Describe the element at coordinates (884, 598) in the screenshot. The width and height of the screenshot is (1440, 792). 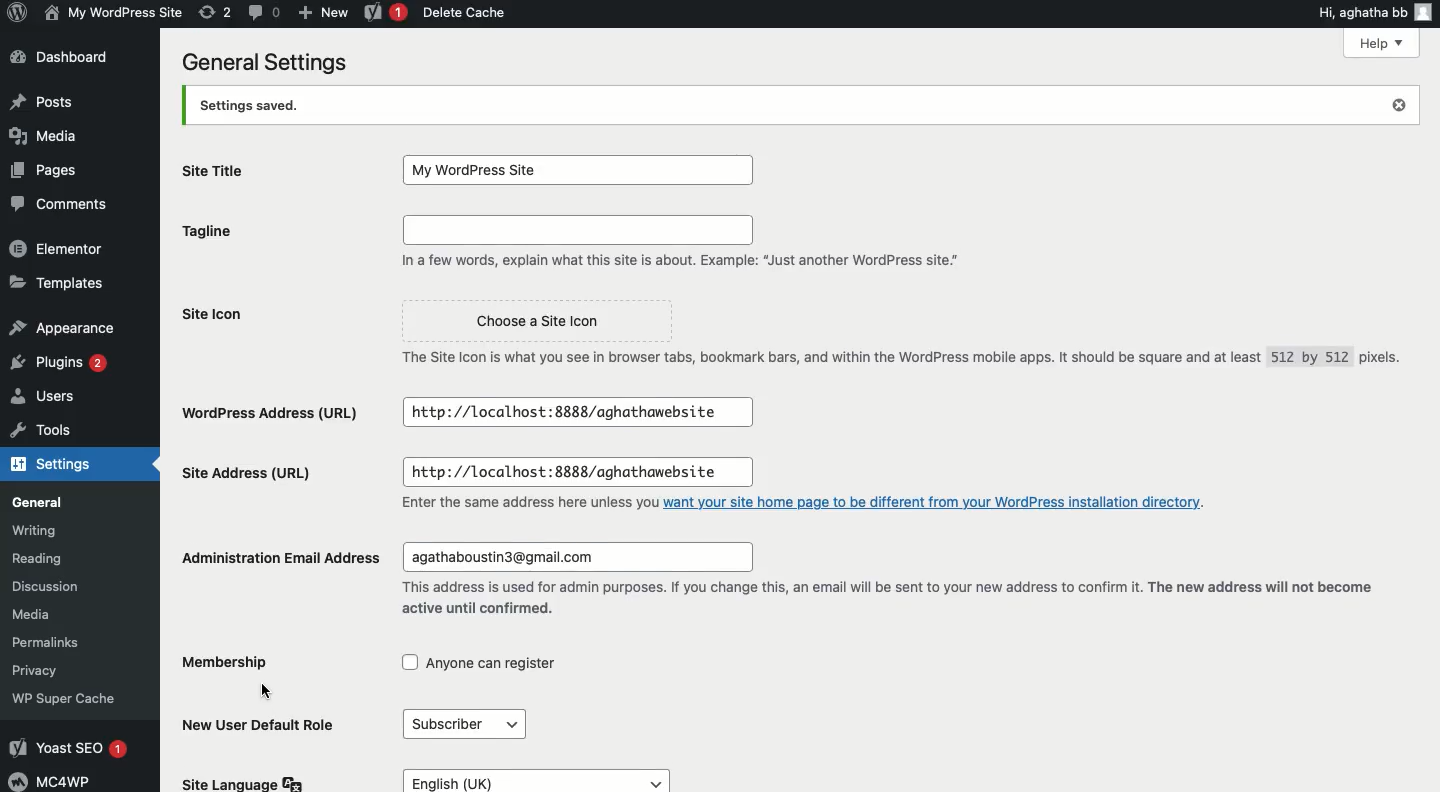
I see `This address is used for admin purposes. If you change this, an email will be sent to your new address to confirm it. The new address will not become
active until confirmed.` at that location.